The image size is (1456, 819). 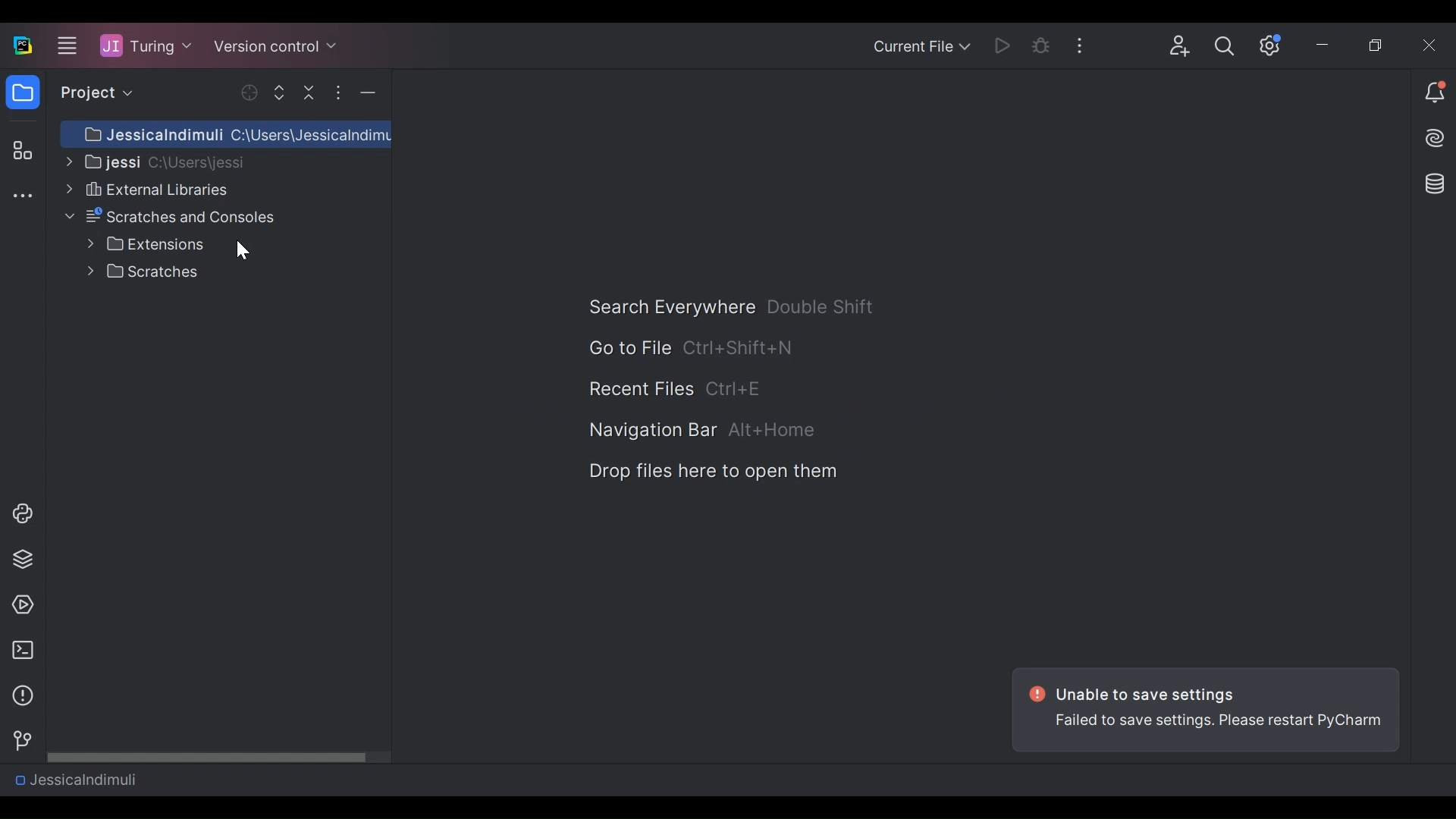 I want to click on Search Everywhere, so click(x=670, y=307).